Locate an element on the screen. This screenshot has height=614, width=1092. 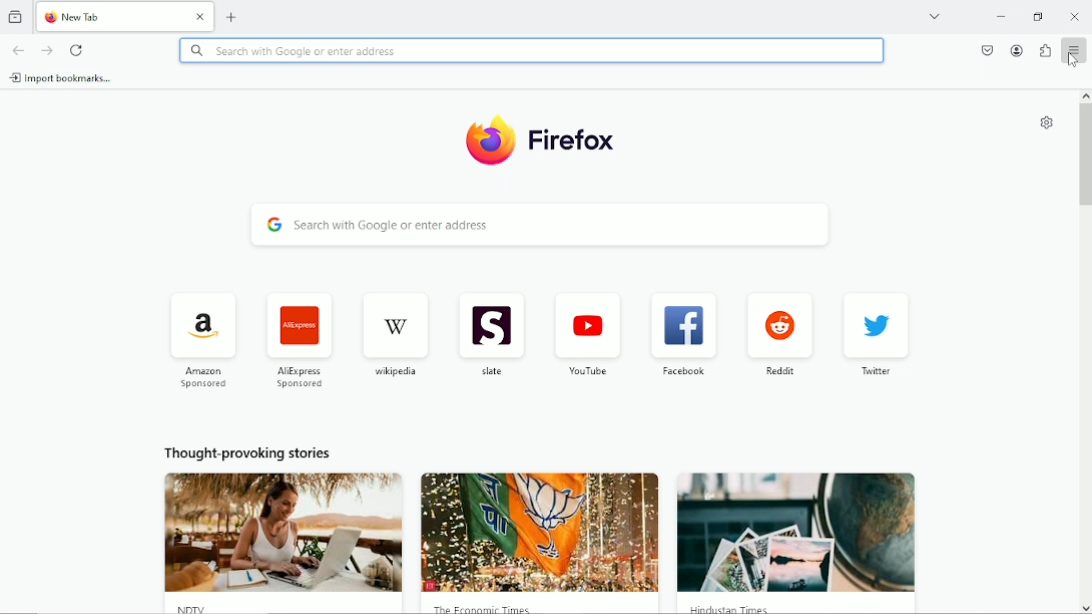
youtube is located at coordinates (587, 373).